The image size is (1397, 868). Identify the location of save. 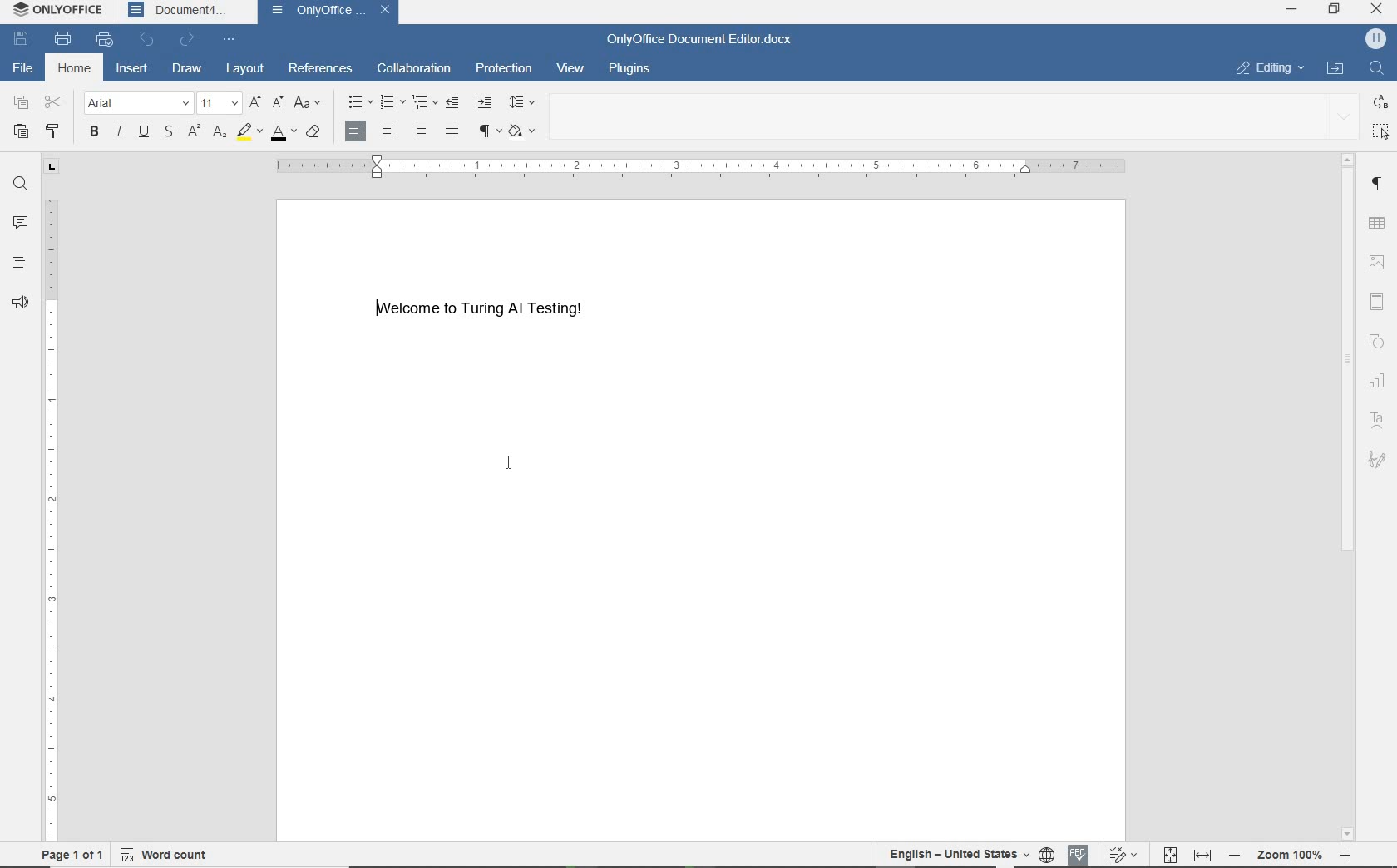
(22, 39).